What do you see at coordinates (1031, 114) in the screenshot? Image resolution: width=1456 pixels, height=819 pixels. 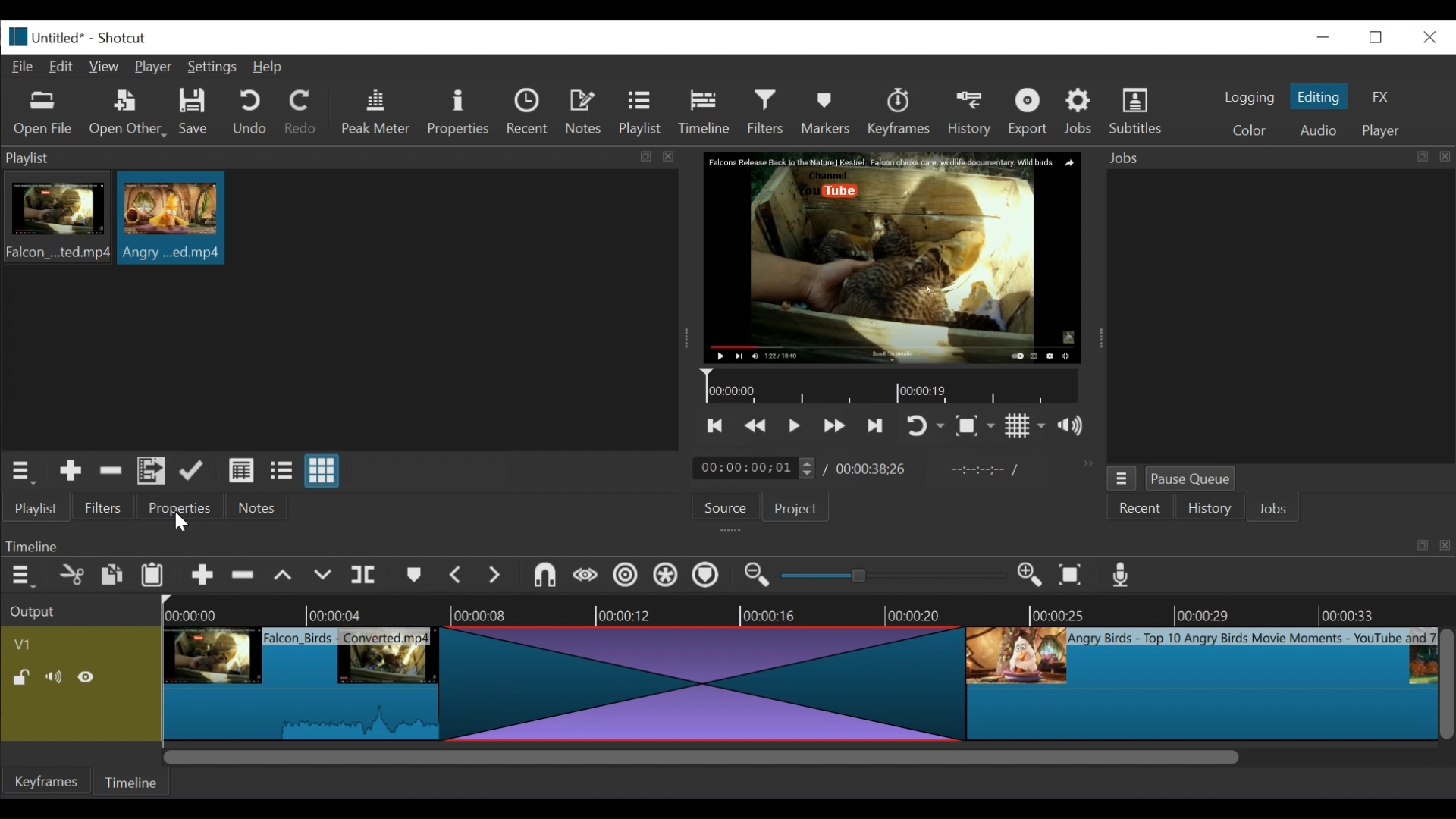 I see `Export` at bounding box center [1031, 114].